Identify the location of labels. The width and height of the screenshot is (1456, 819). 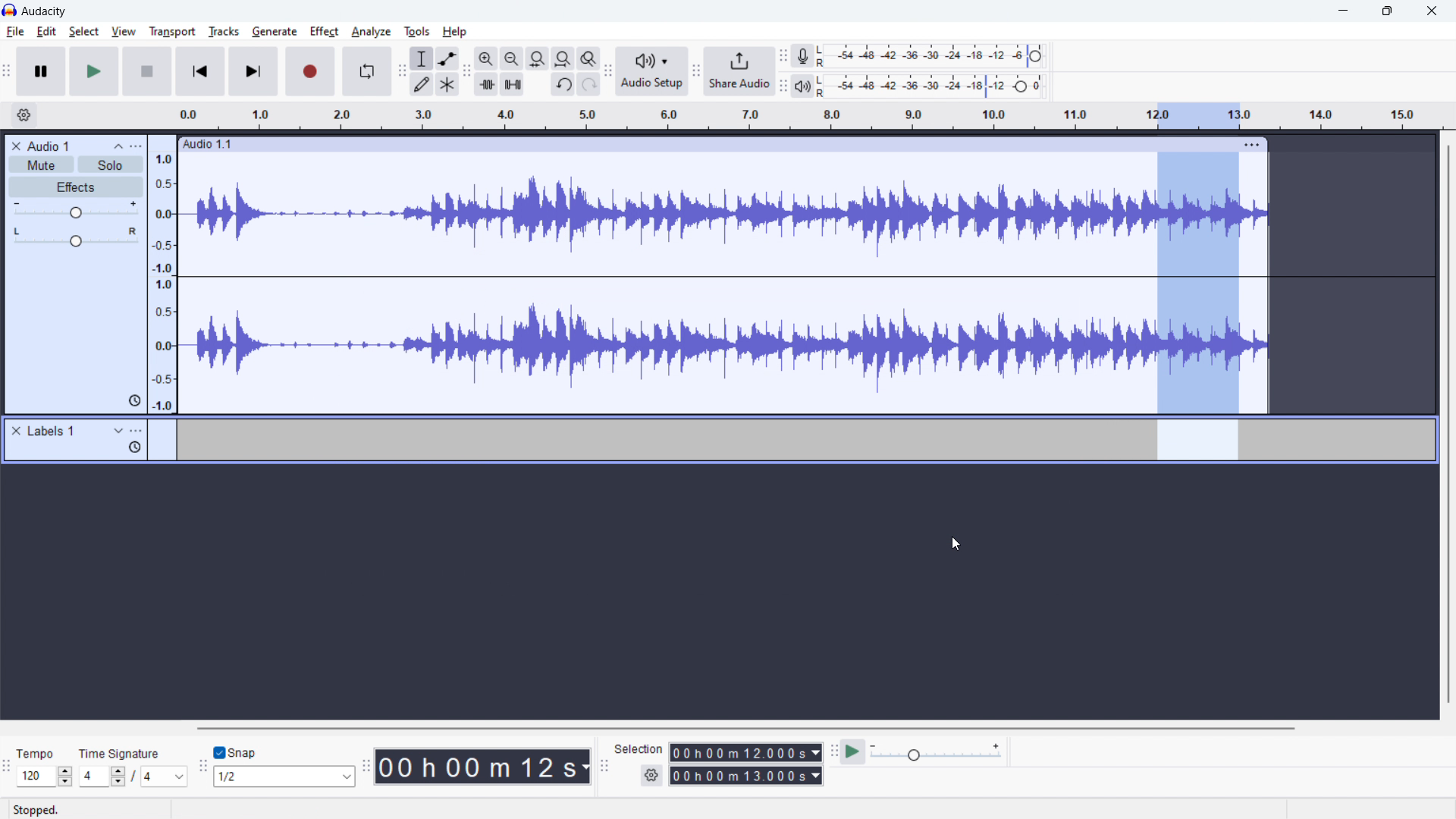
(52, 431).